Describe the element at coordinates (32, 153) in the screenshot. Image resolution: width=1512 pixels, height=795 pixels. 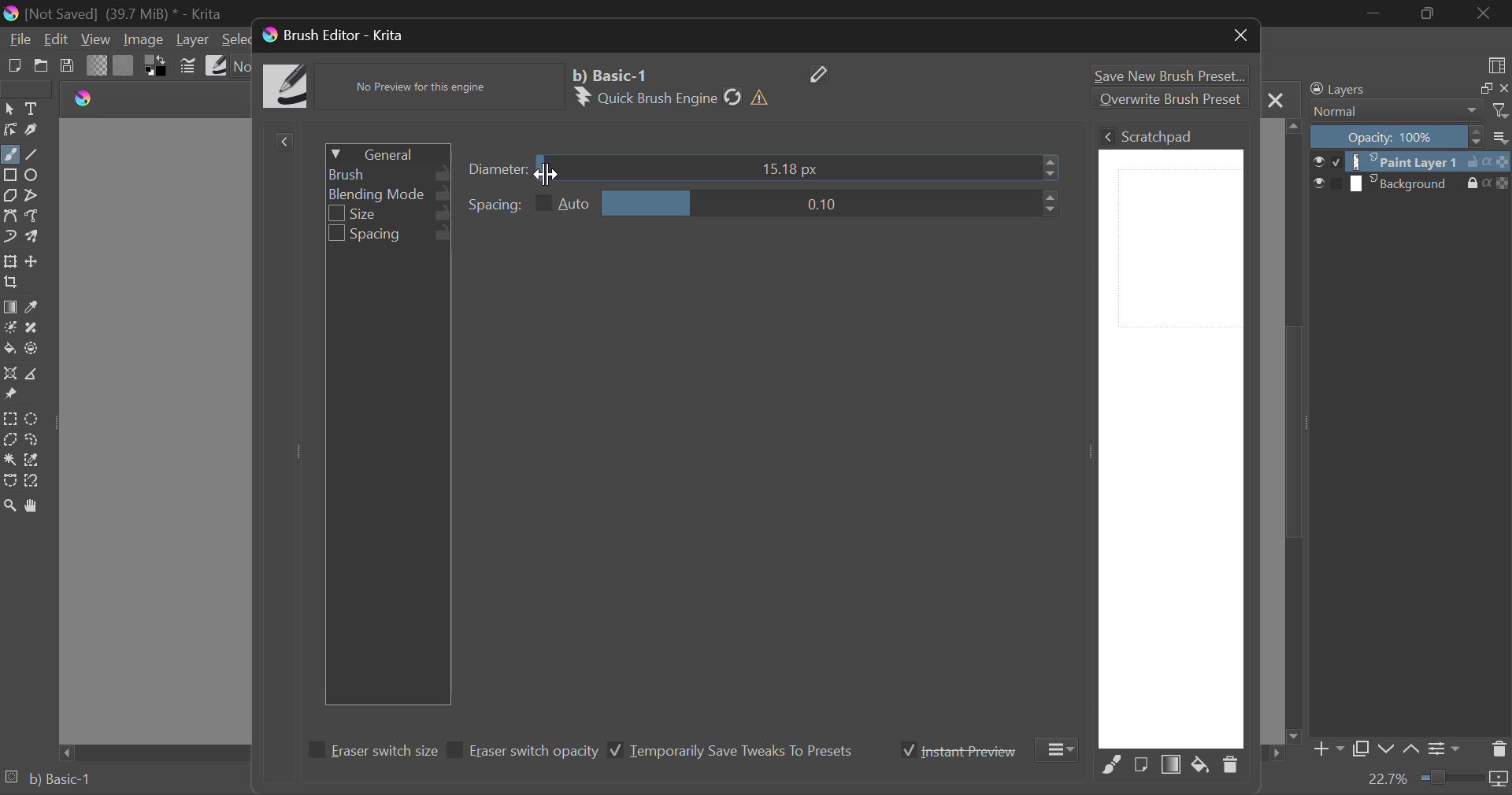
I see `Line` at that location.